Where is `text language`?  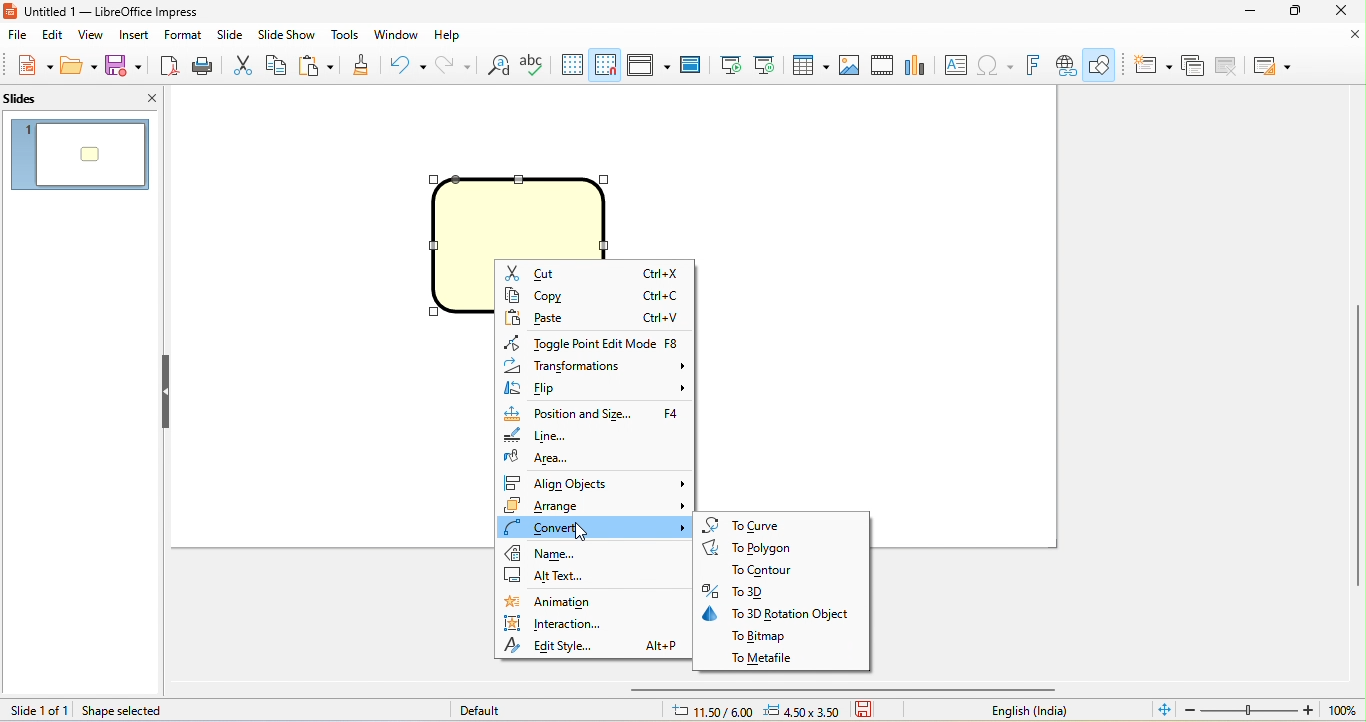 text language is located at coordinates (1026, 711).